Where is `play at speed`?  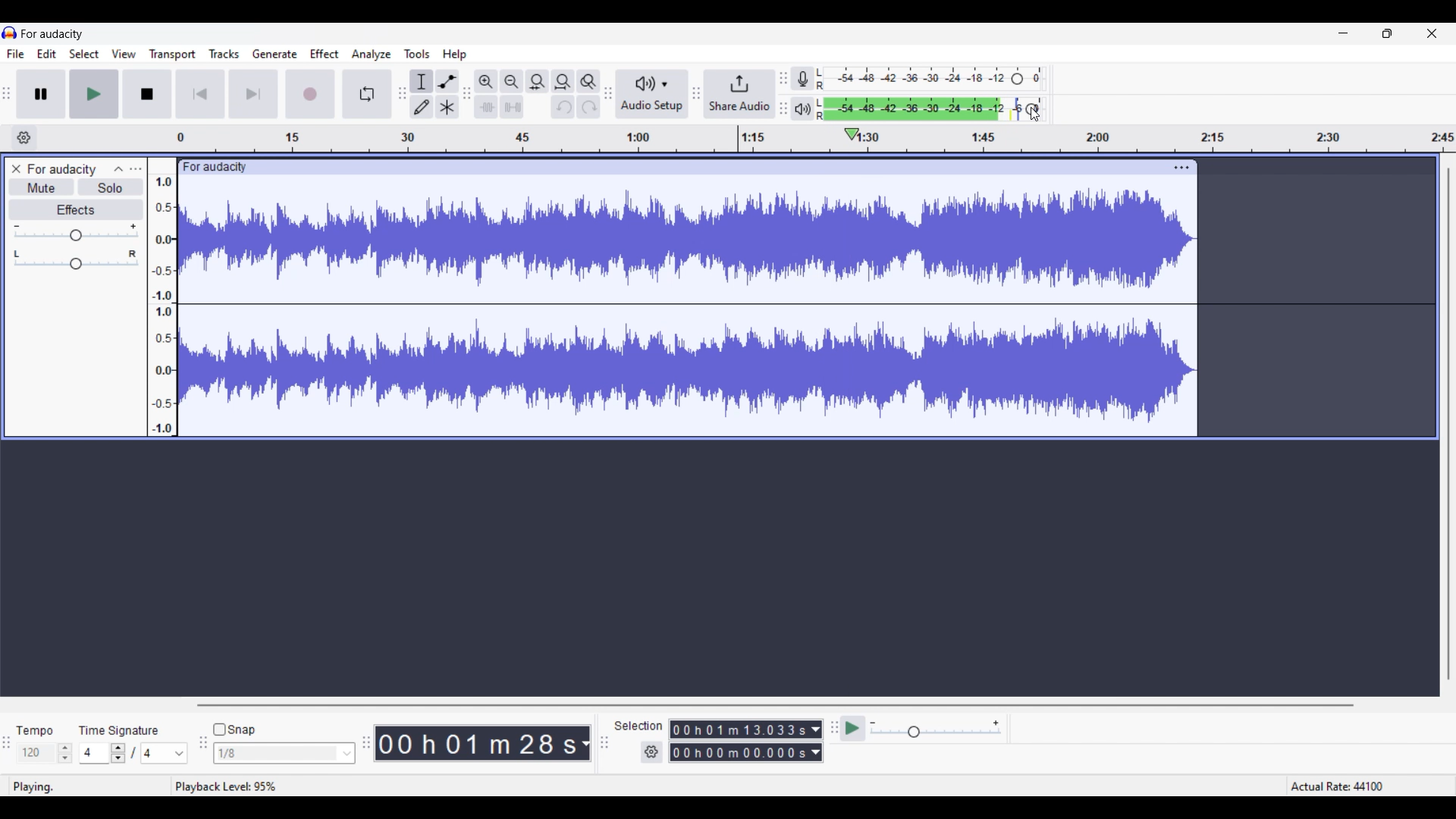 play at speed is located at coordinates (851, 729).